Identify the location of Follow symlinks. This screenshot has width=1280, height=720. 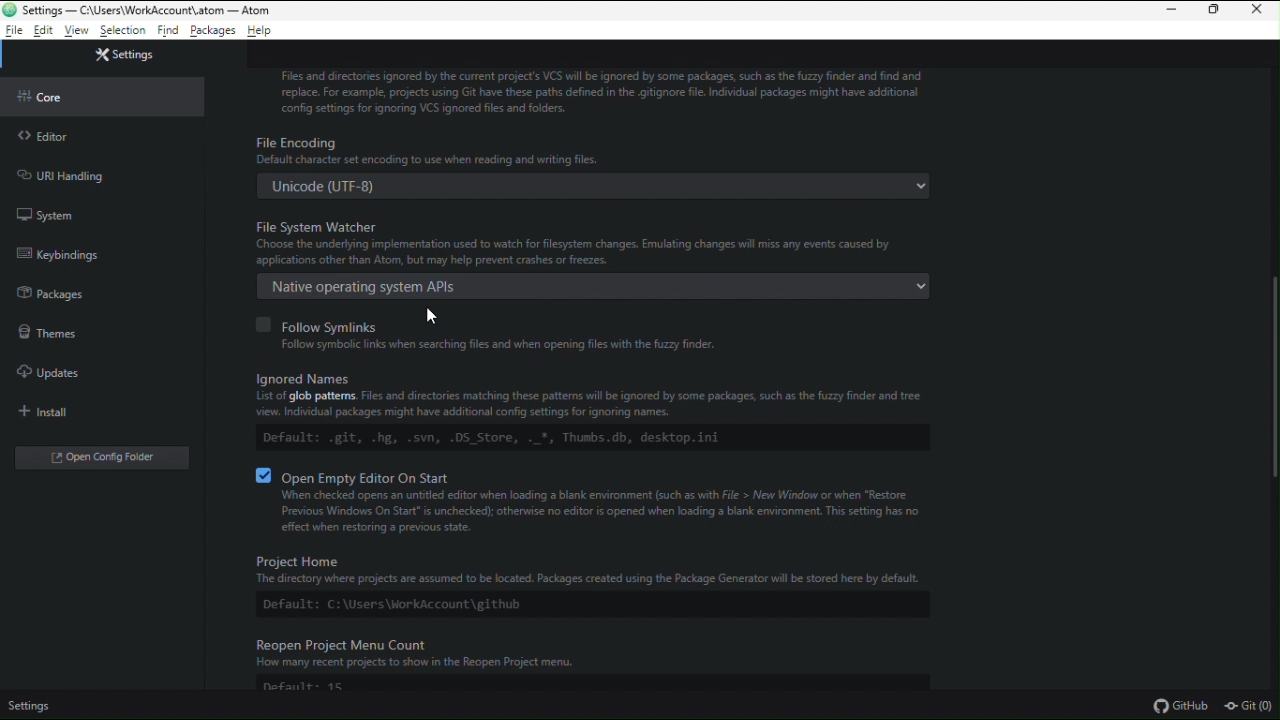
(502, 333).